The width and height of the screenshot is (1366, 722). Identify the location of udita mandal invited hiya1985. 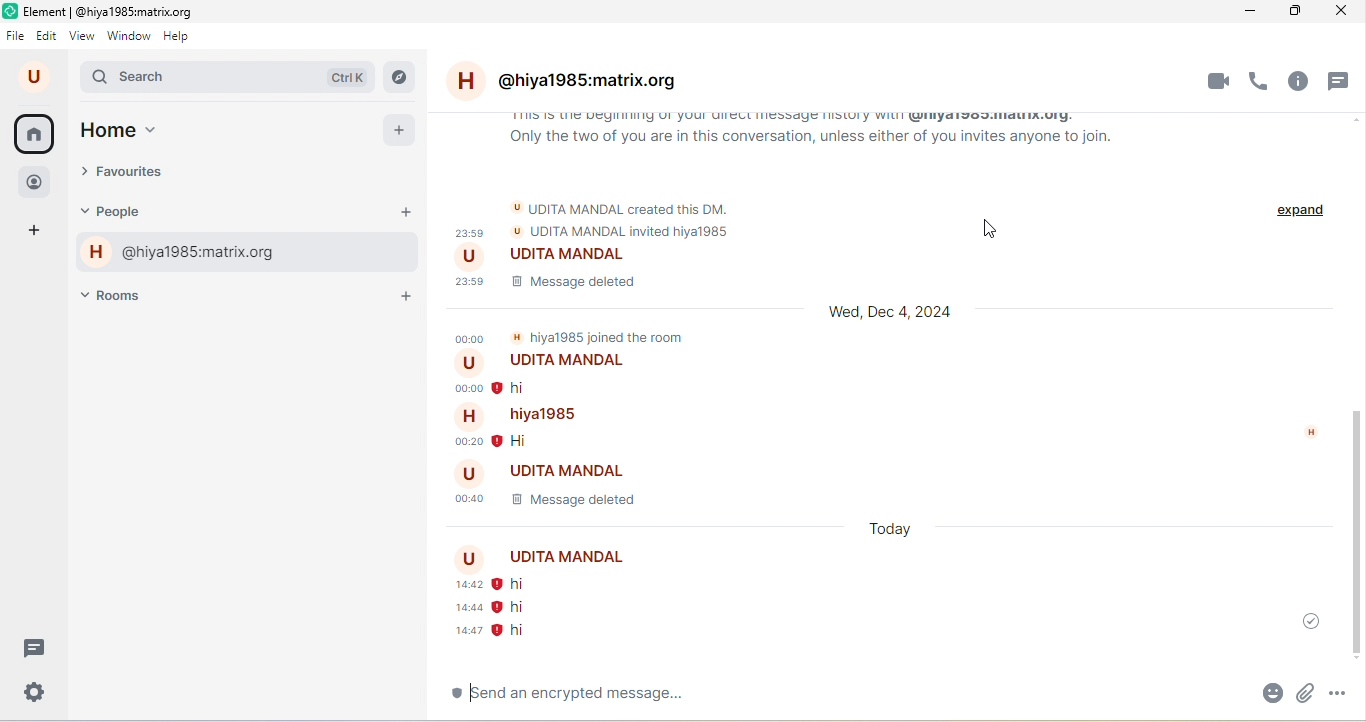
(618, 233).